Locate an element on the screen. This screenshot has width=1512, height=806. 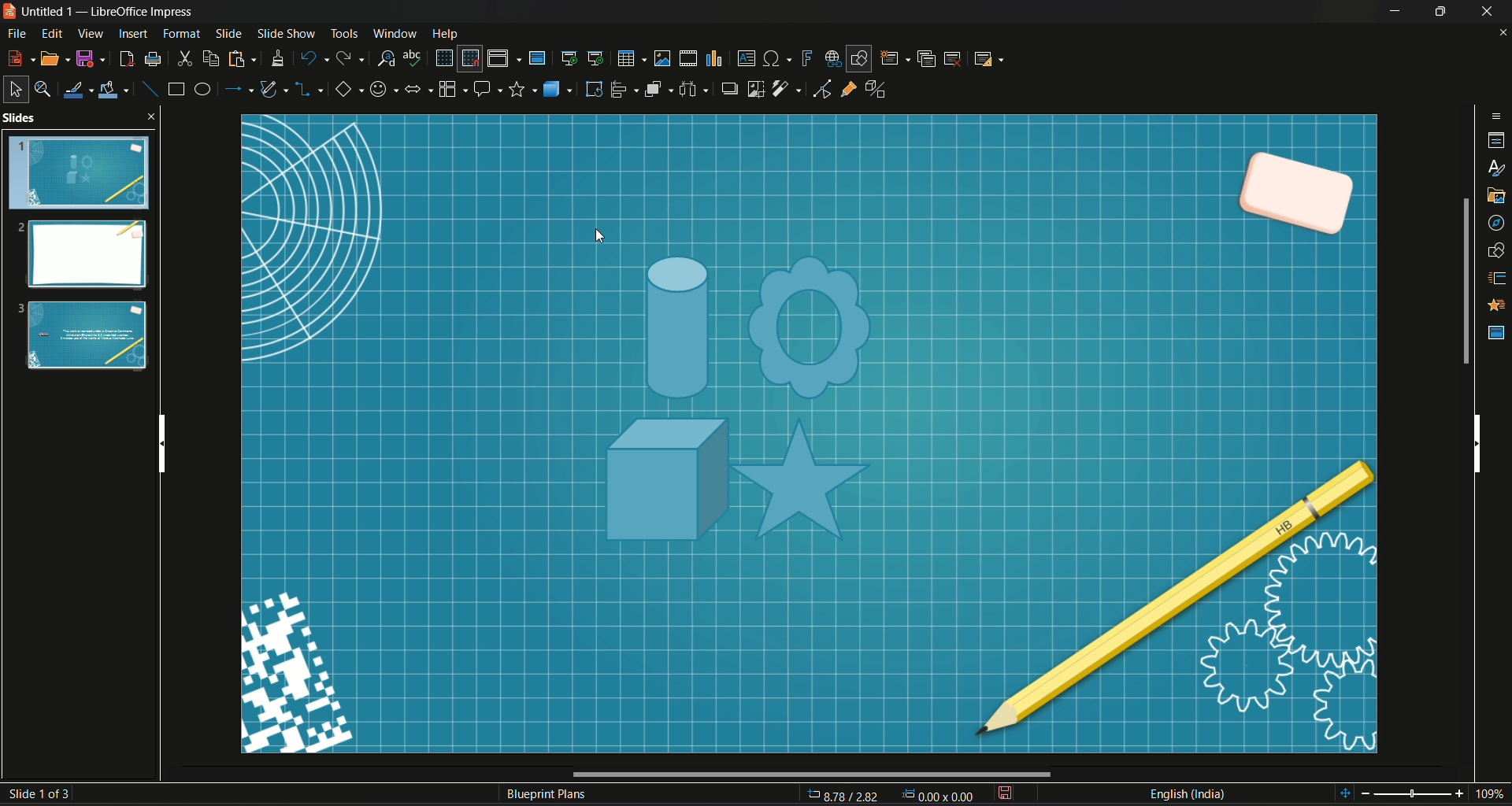
duplicate slide is located at coordinates (927, 58).